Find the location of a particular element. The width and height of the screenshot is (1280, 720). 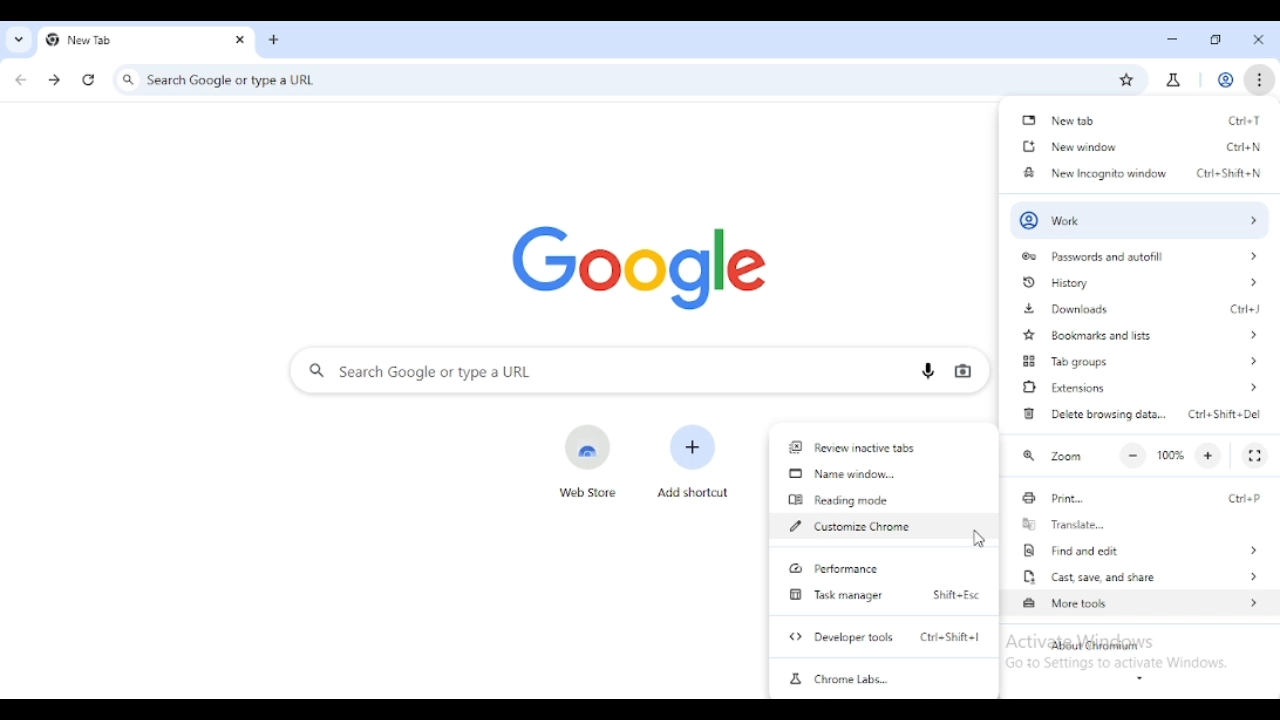

search google or type a URL is located at coordinates (587, 371).